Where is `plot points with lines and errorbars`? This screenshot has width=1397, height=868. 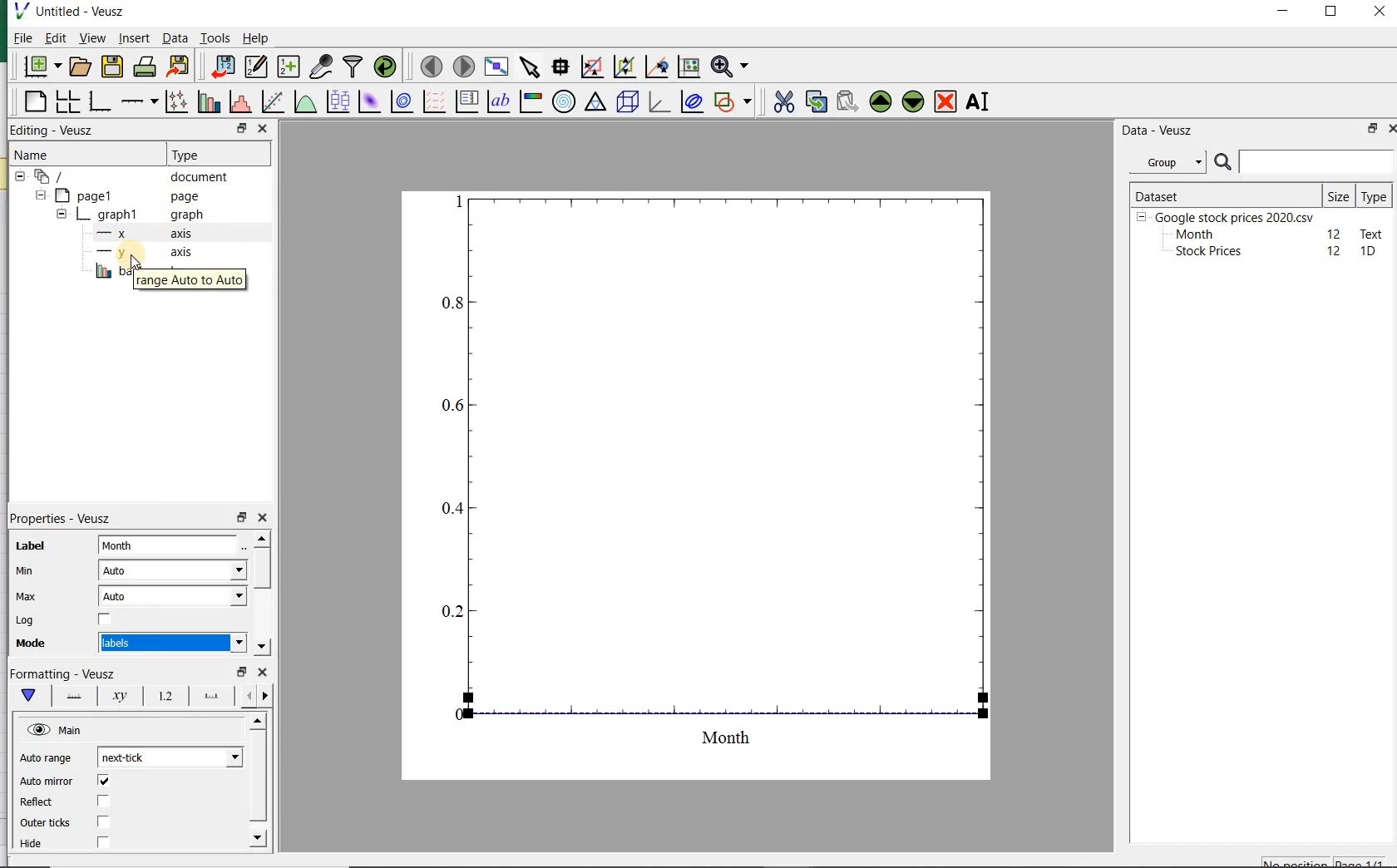
plot points with lines and errorbars is located at coordinates (173, 103).